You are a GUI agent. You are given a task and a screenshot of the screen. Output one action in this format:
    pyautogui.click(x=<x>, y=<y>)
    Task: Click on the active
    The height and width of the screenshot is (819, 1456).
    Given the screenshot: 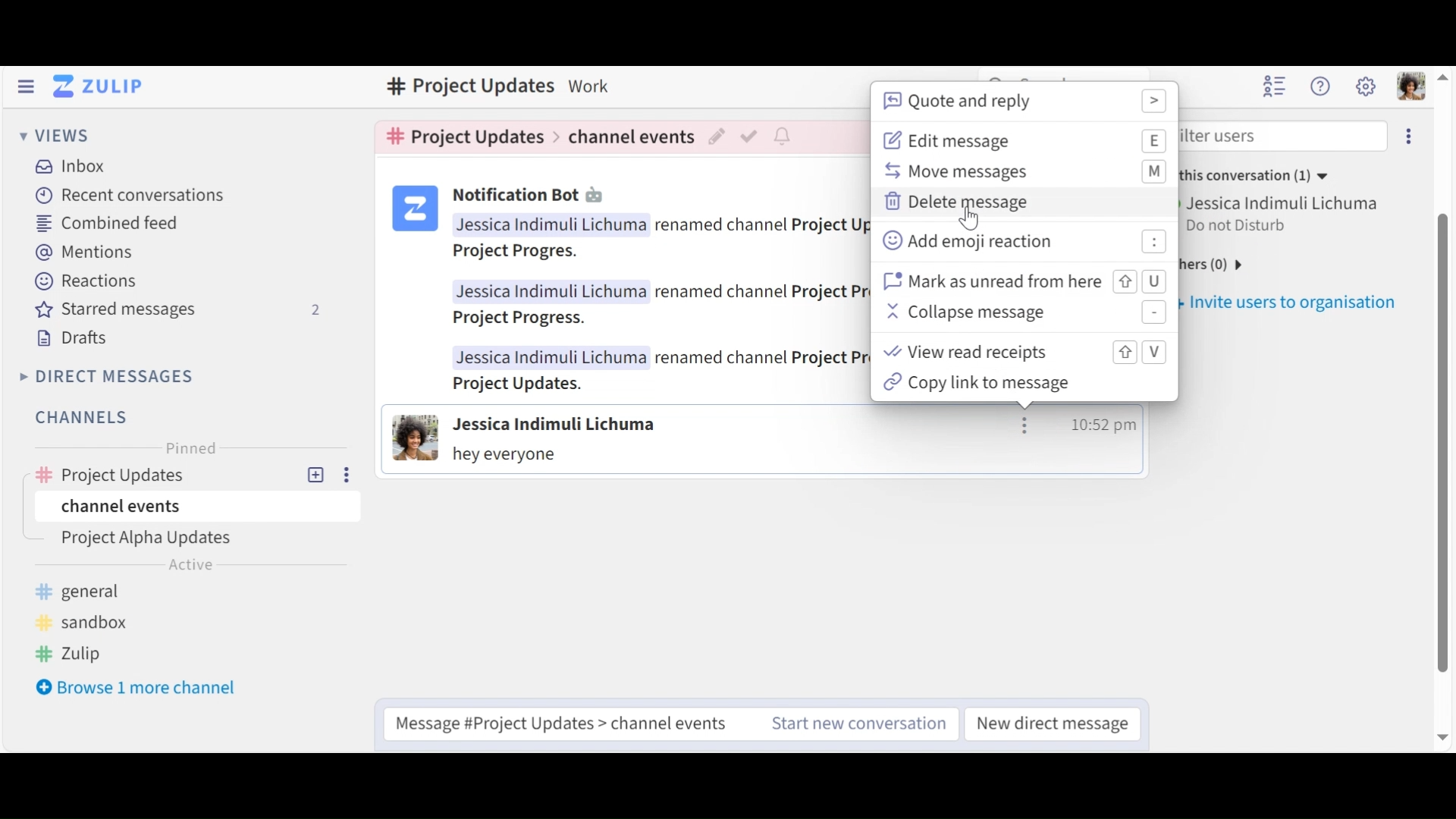 What is the action you would take?
    pyautogui.click(x=195, y=566)
    